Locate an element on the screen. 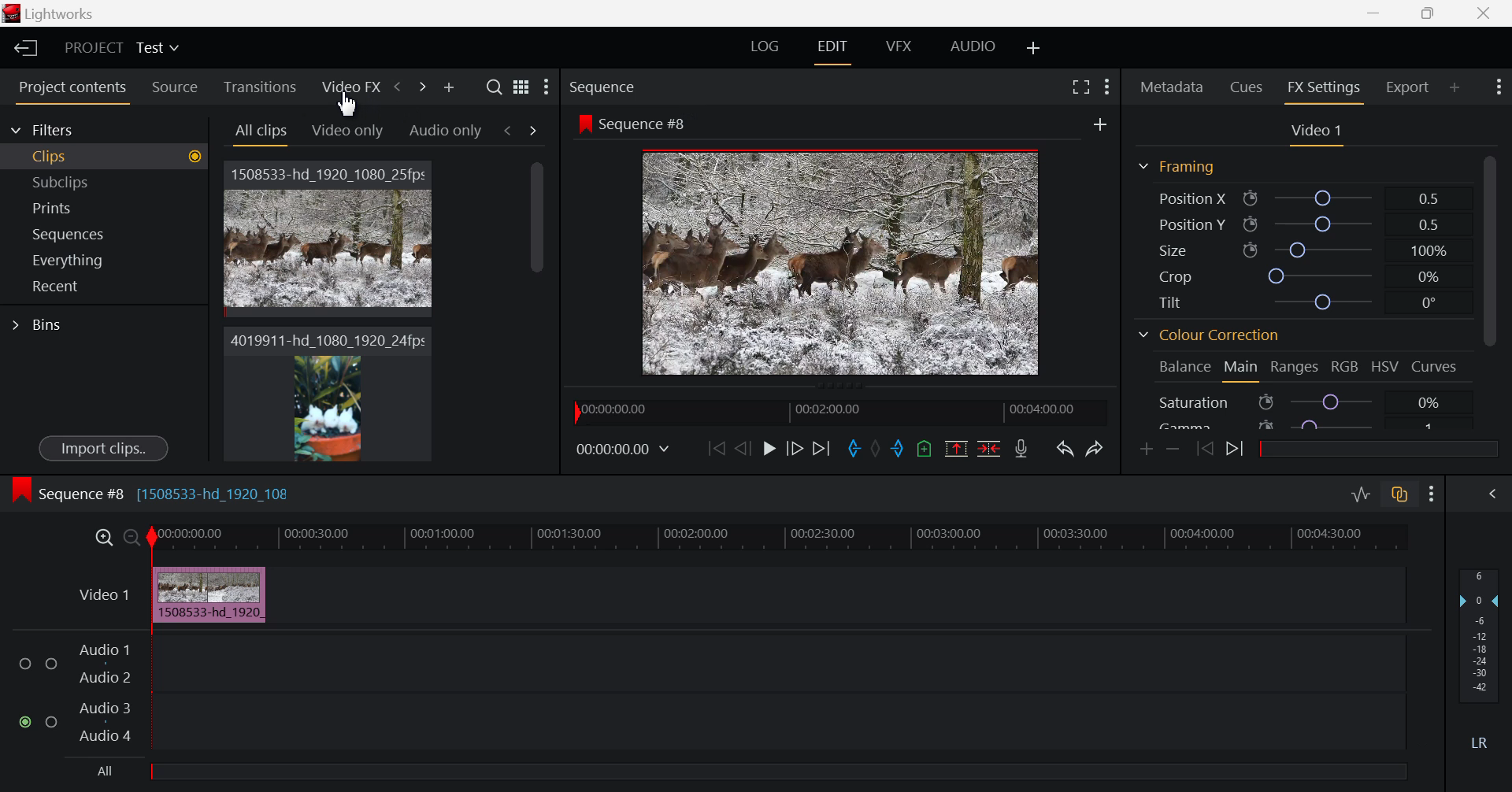 The height and width of the screenshot is (792, 1512). Undo is located at coordinates (1066, 450).